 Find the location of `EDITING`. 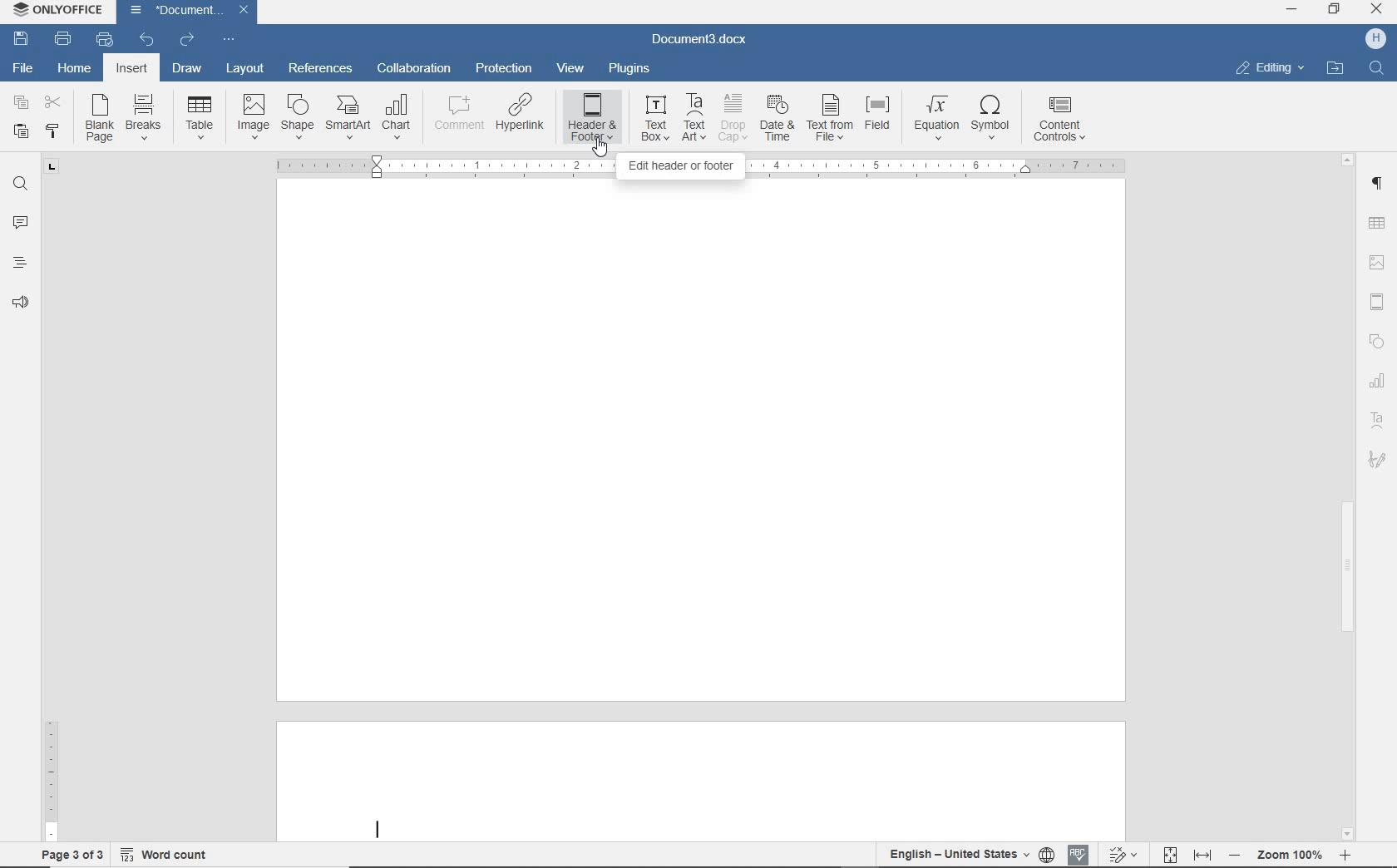

EDITING is located at coordinates (1269, 69).